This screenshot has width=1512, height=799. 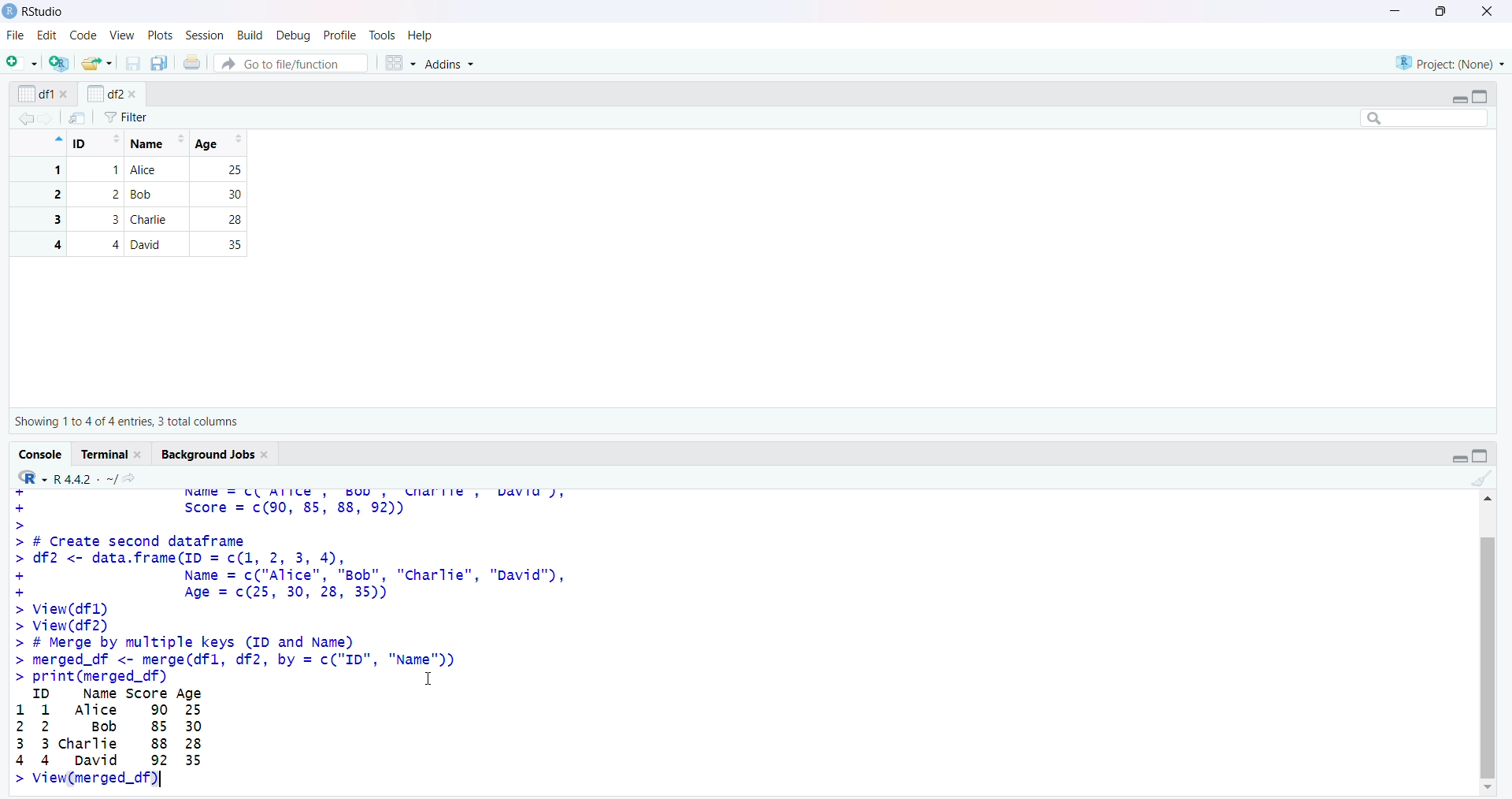 What do you see at coordinates (1488, 656) in the screenshot?
I see `scrollbar` at bounding box center [1488, 656].